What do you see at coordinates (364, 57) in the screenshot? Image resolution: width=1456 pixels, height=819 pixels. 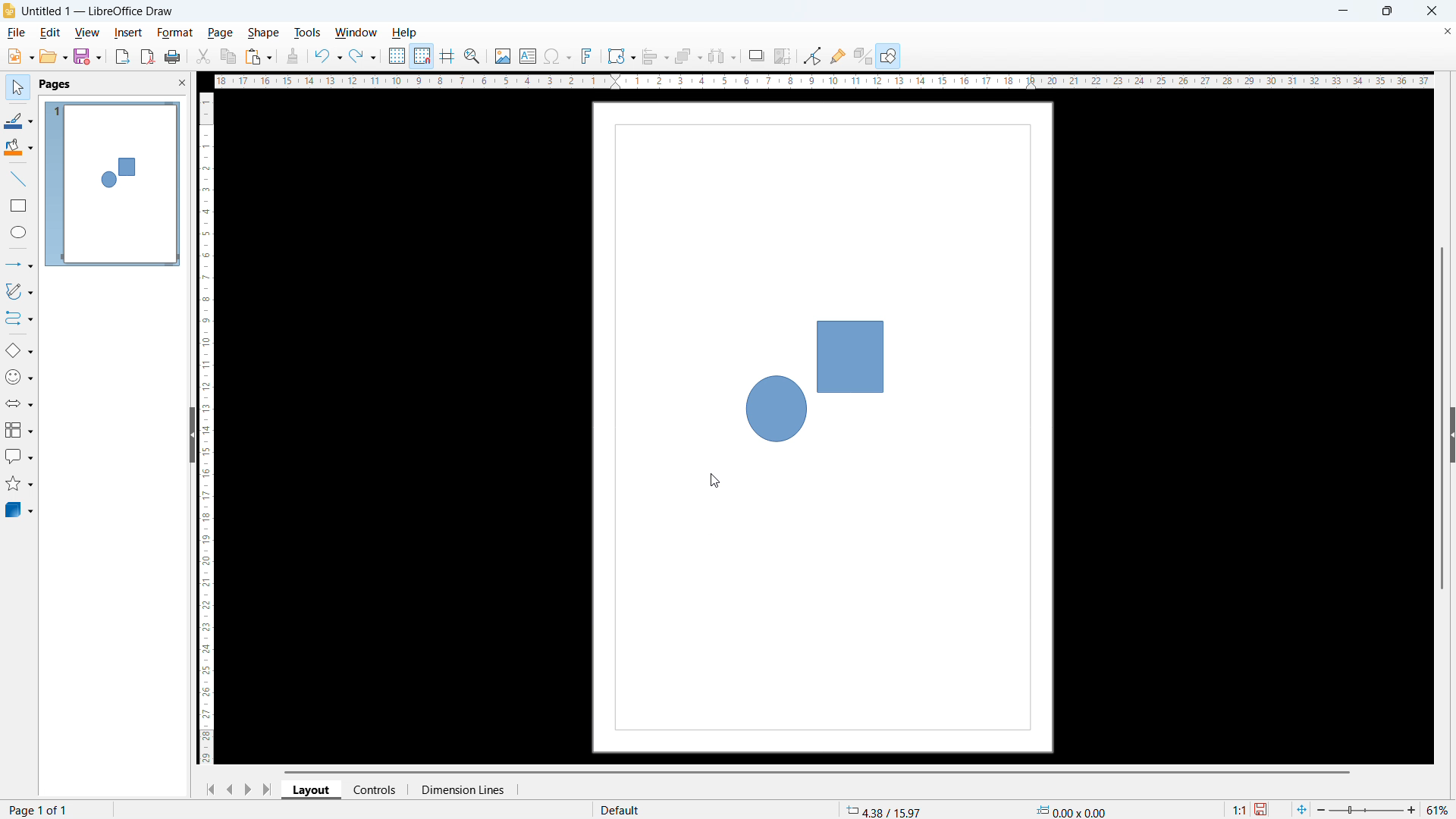 I see `redo` at bounding box center [364, 57].